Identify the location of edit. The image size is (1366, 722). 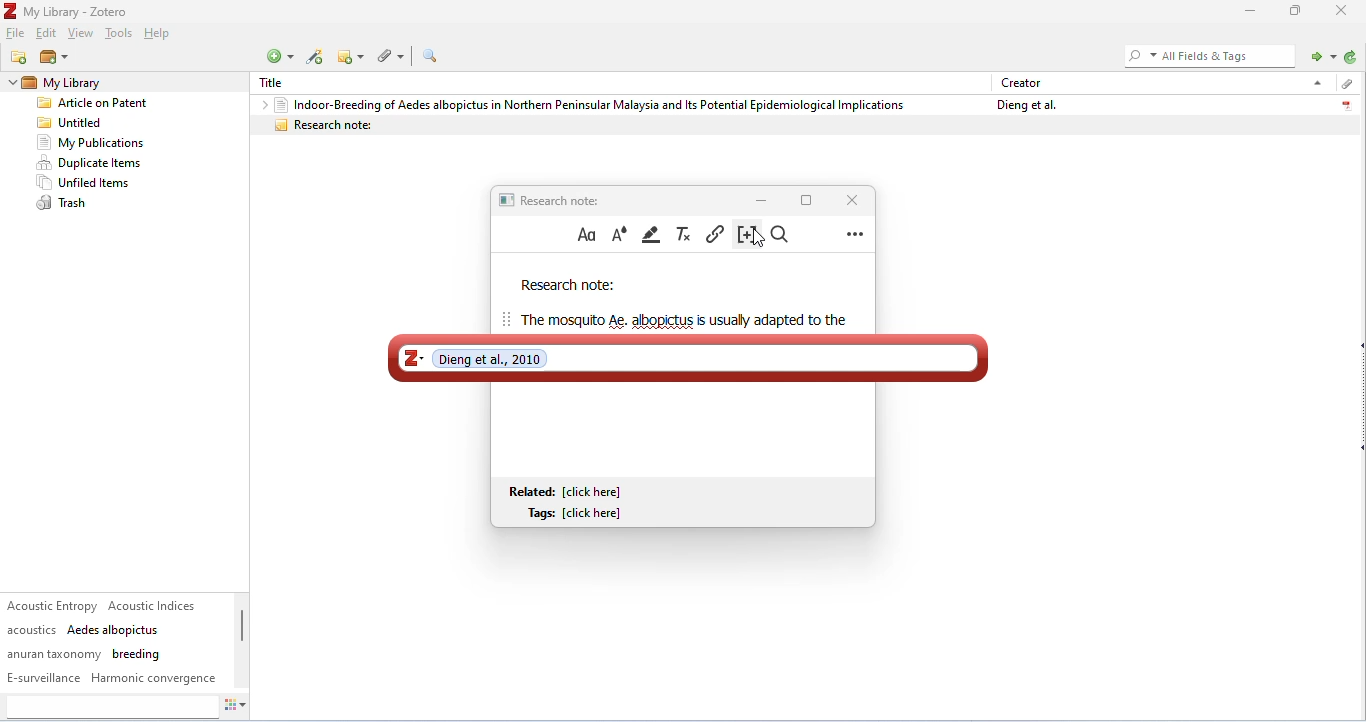
(48, 34).